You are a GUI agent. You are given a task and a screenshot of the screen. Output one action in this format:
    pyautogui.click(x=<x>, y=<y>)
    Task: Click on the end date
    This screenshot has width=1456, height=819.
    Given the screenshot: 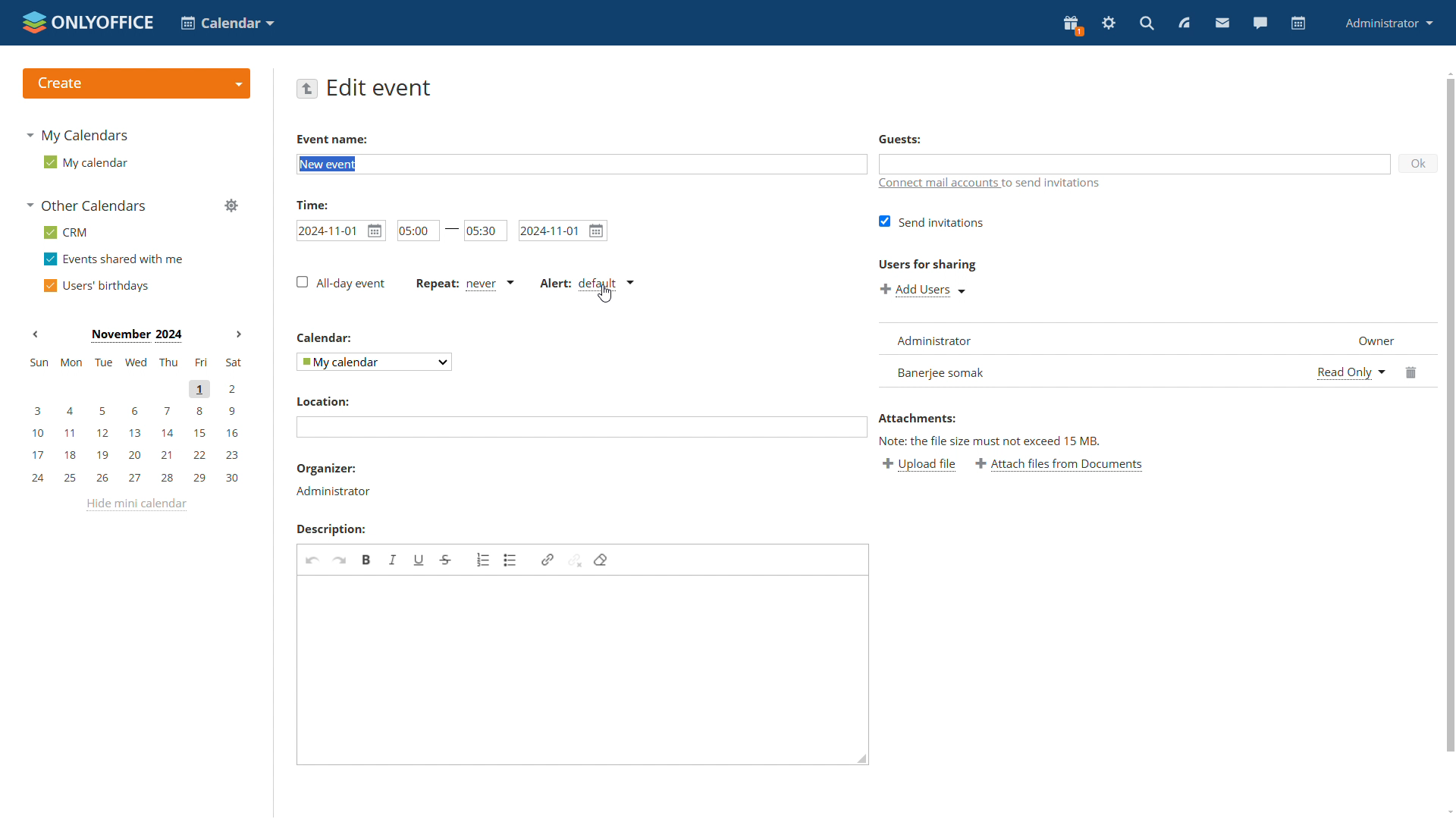 What is the action you would take?
    pyautogui.click(x=564, y=231)
    